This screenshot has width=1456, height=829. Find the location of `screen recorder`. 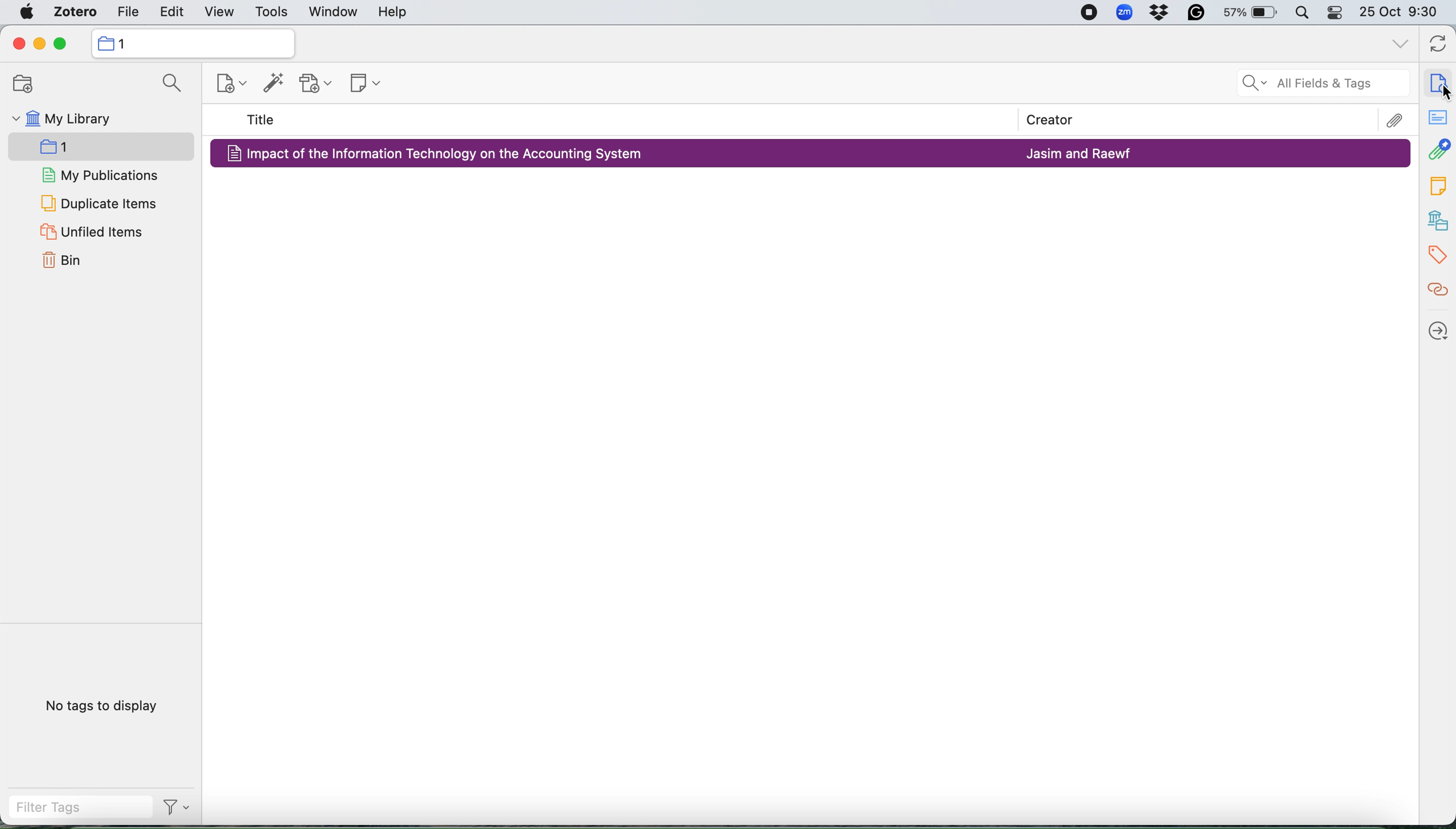

screen recorder is located at coordinates (1089, 12).